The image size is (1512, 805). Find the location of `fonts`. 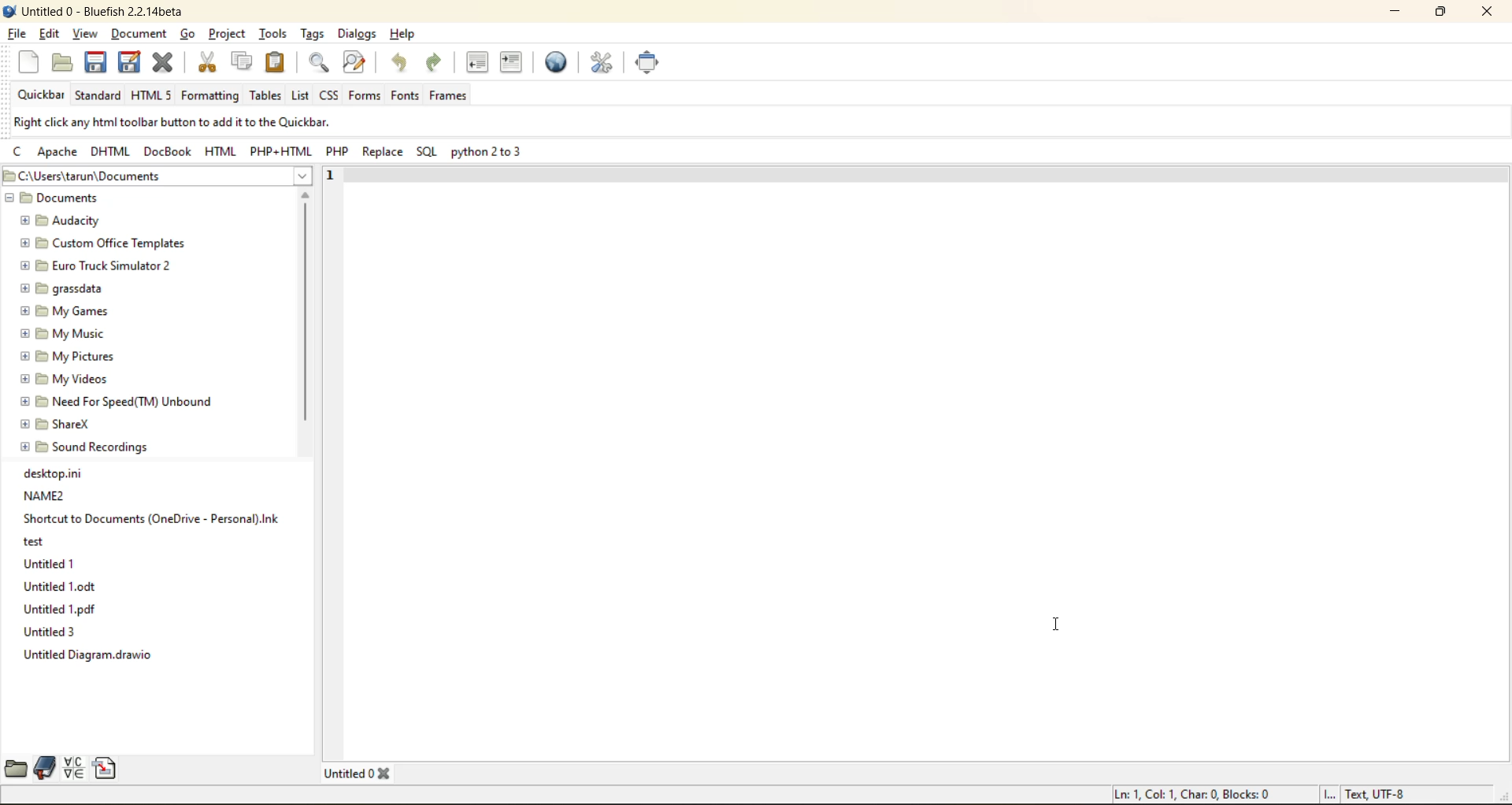

fonts is located at coordinates (405, 97).